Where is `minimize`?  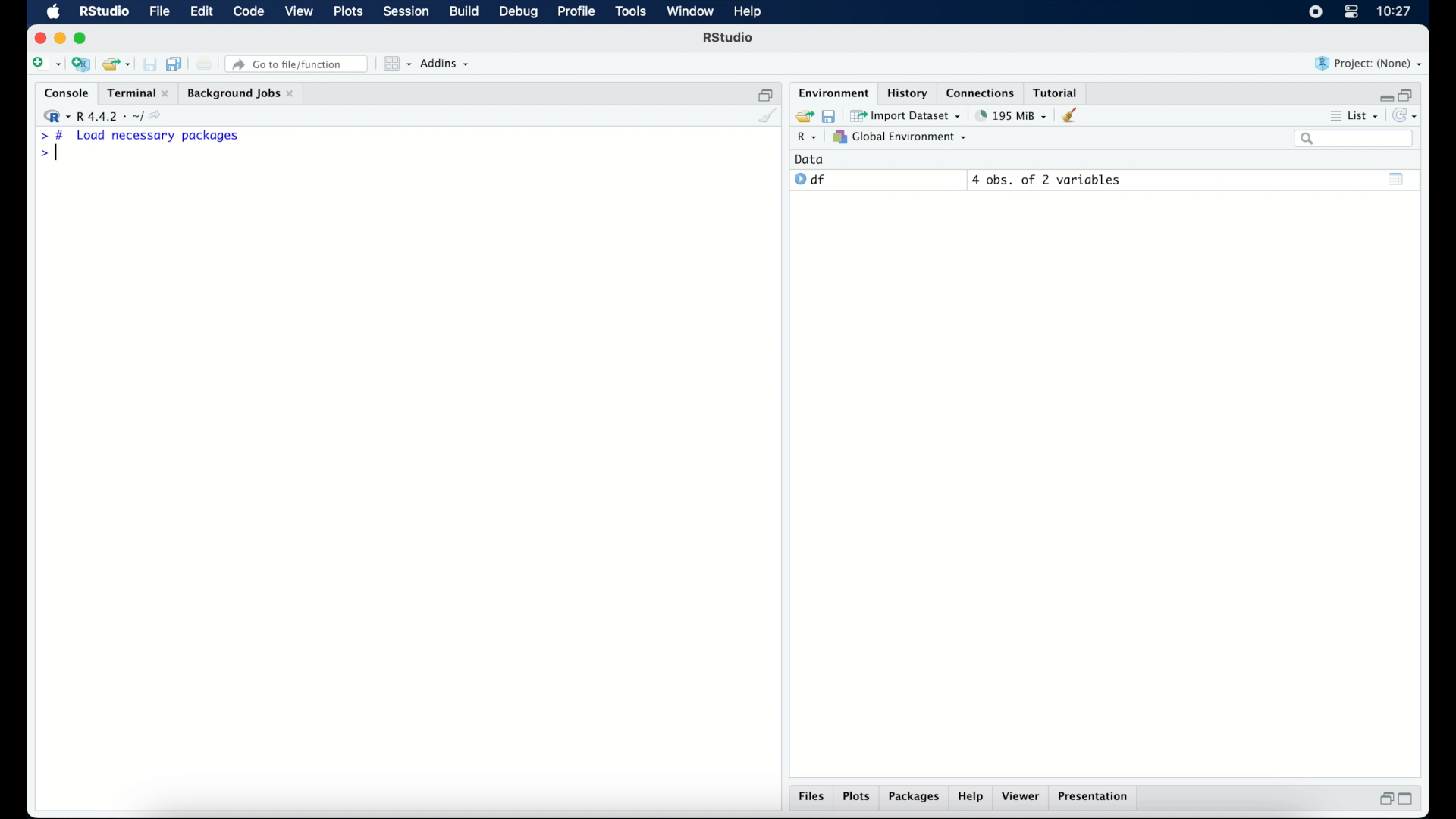
minimize is located at coordinates (1384, 94).